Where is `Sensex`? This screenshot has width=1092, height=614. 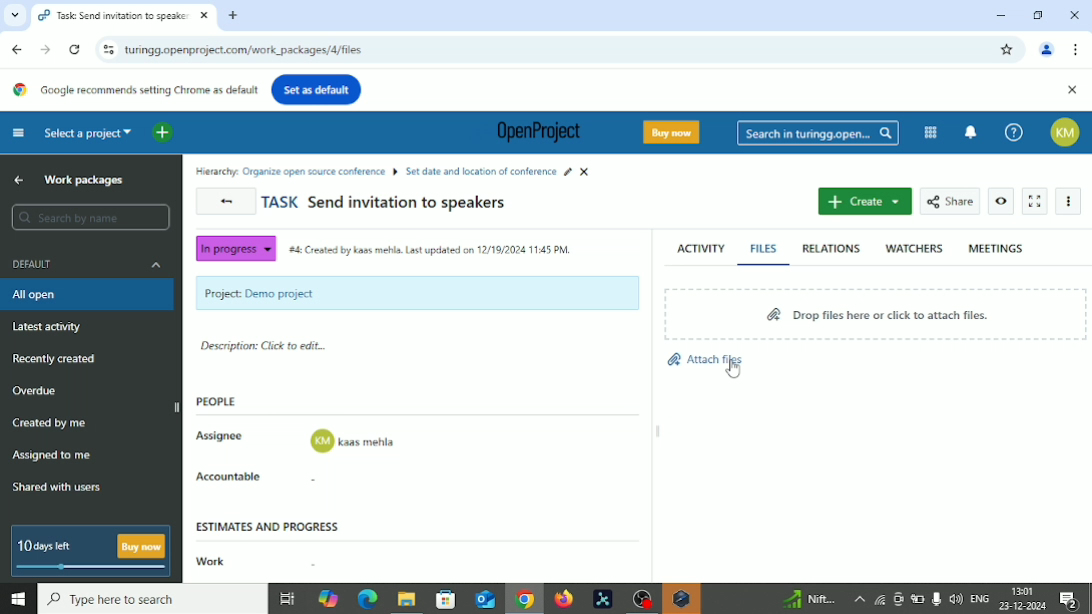
Sensex is located at coordinates (807, 599).